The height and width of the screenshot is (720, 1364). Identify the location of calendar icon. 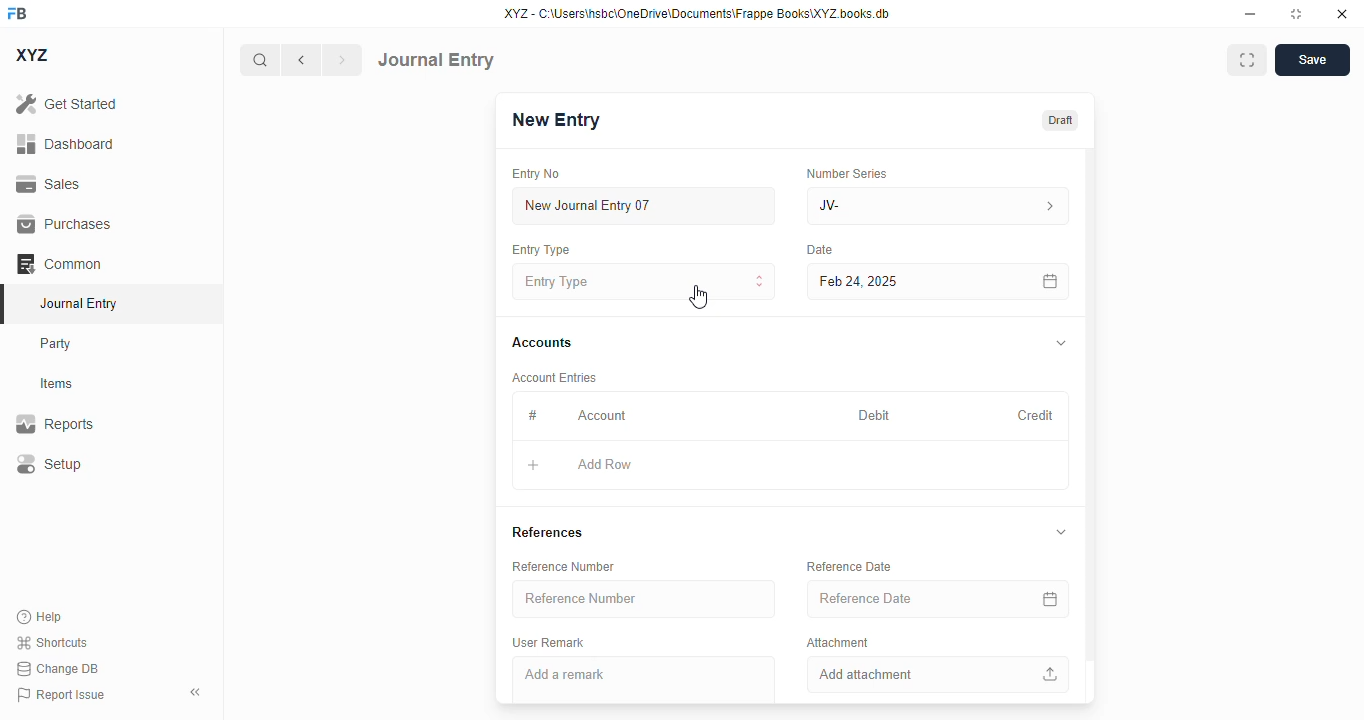
(1049, 599).